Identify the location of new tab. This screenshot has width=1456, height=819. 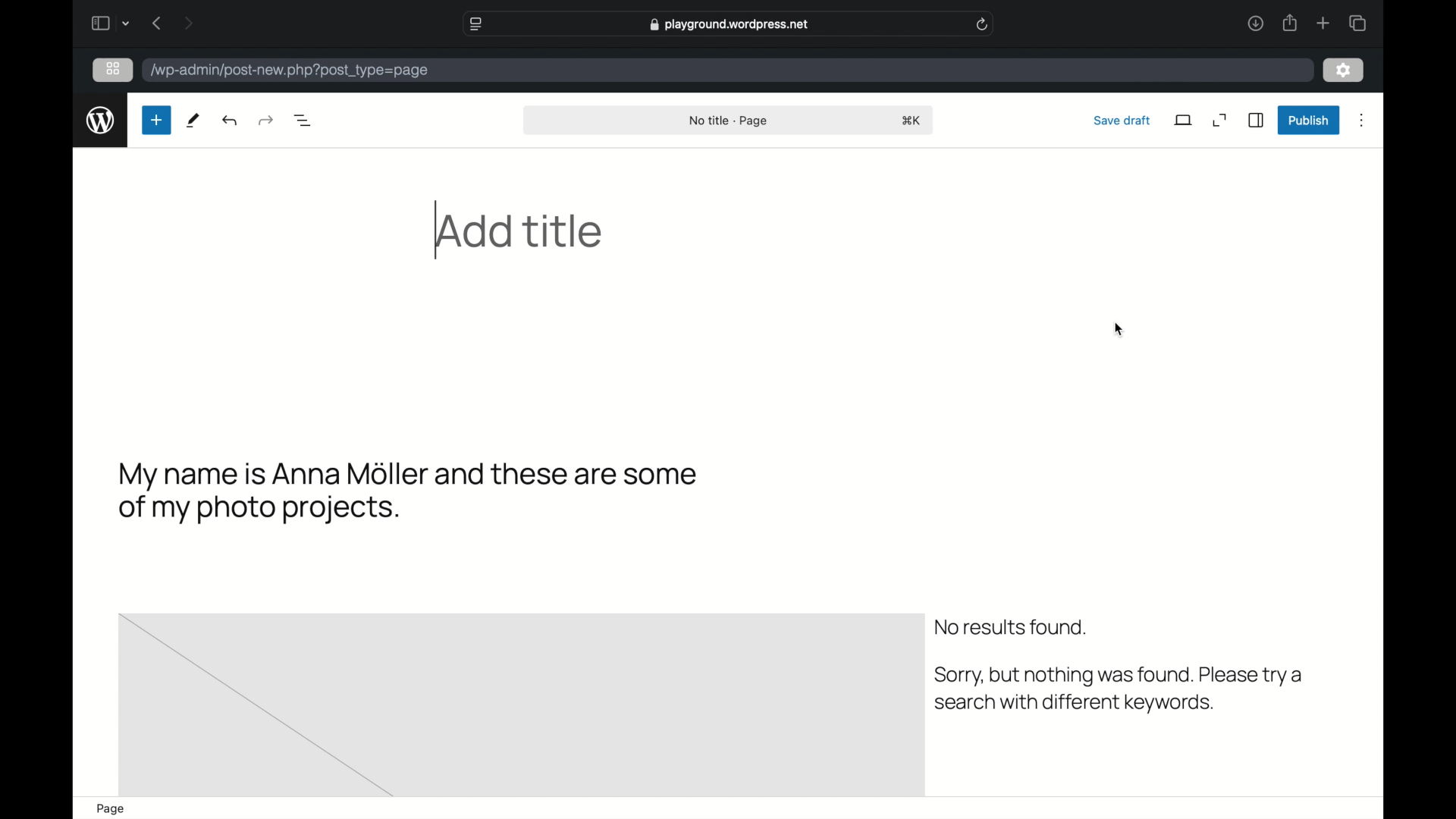
(1323, 24).